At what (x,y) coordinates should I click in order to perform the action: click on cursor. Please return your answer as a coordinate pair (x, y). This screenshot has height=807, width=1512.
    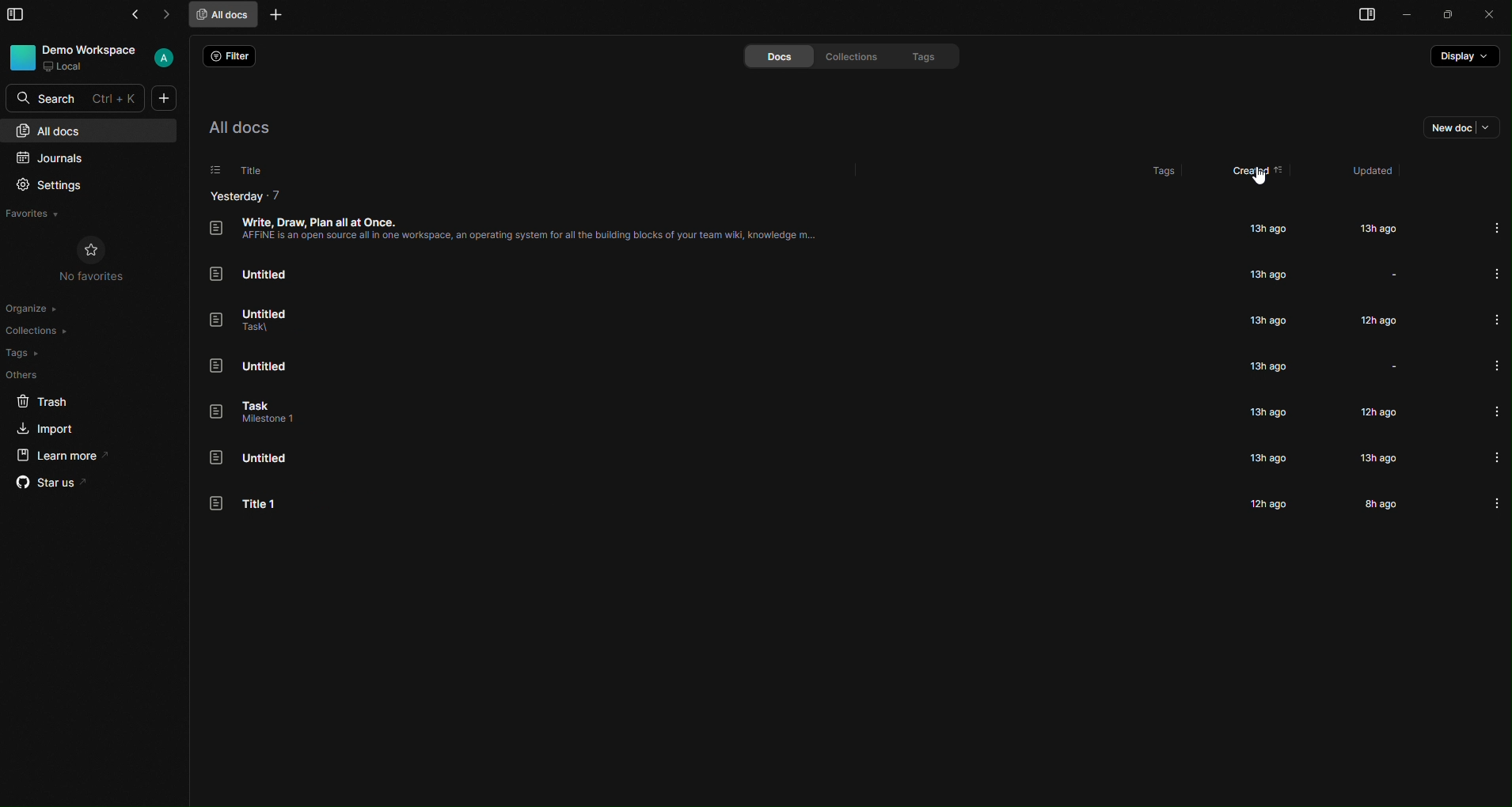
    Looking at the image, I should click on (1259, 180).